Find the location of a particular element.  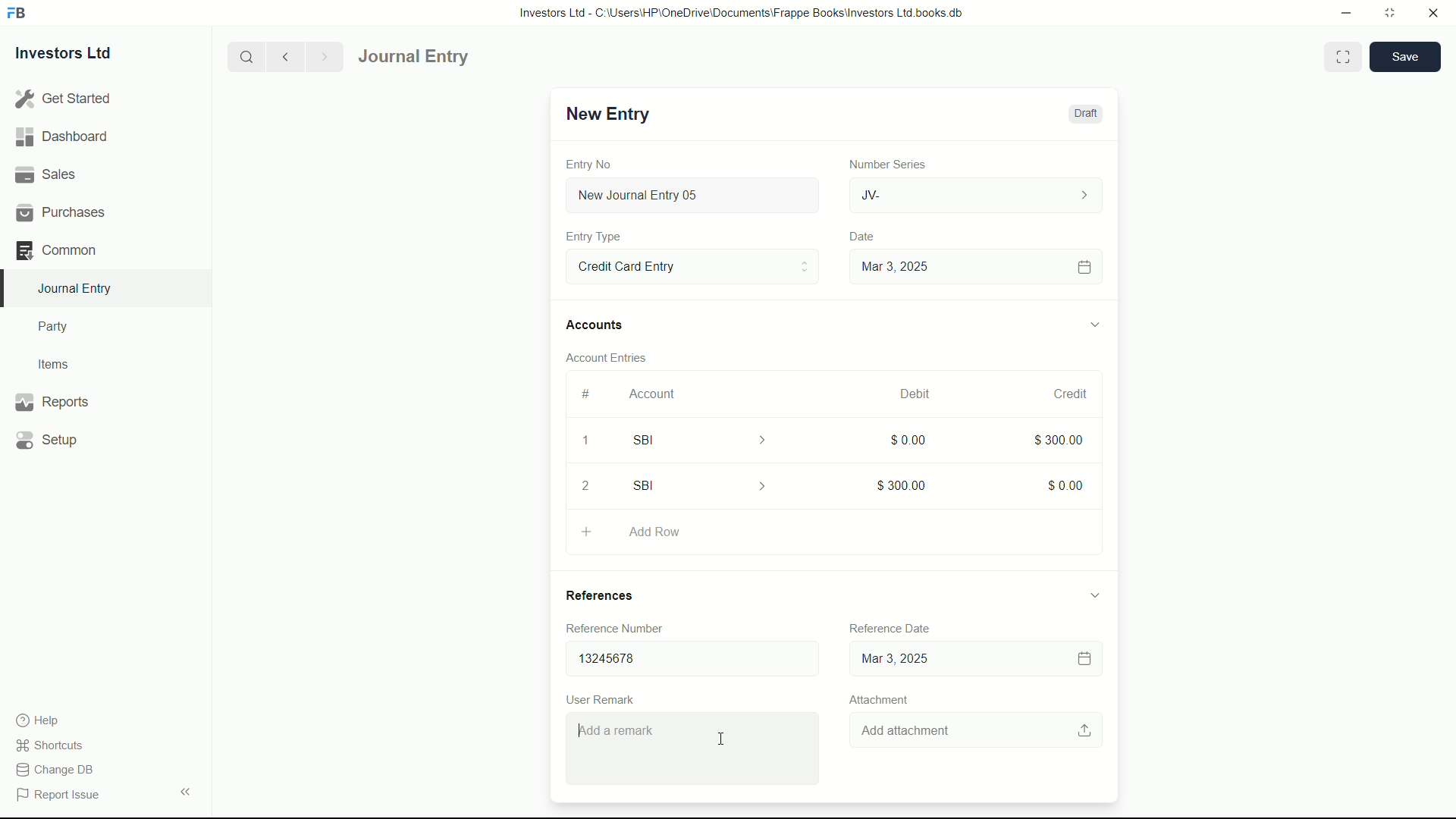

Reference Number is located at coordinates (625, 628).